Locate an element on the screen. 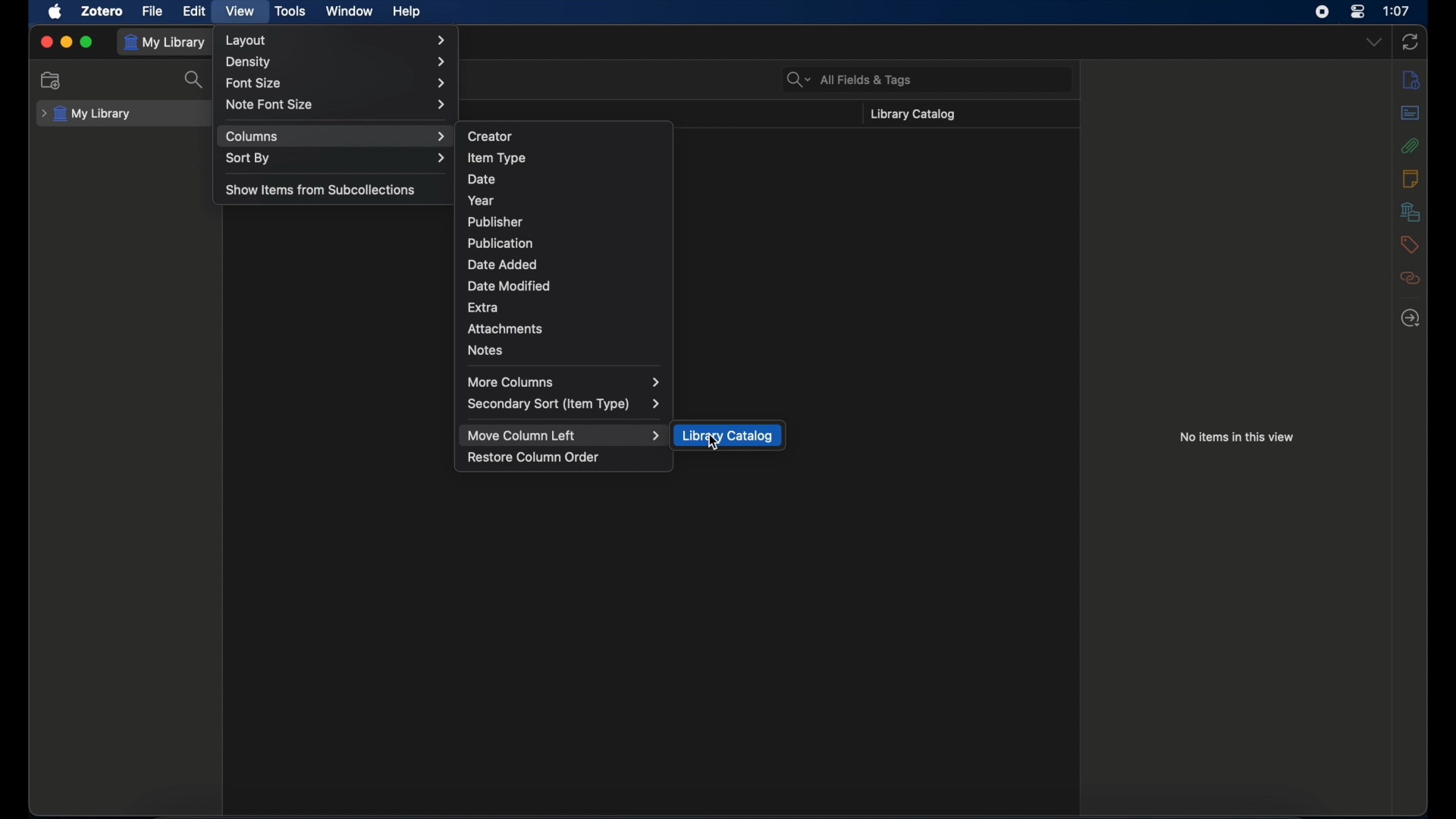  layout is located at coordinates (334, 41).